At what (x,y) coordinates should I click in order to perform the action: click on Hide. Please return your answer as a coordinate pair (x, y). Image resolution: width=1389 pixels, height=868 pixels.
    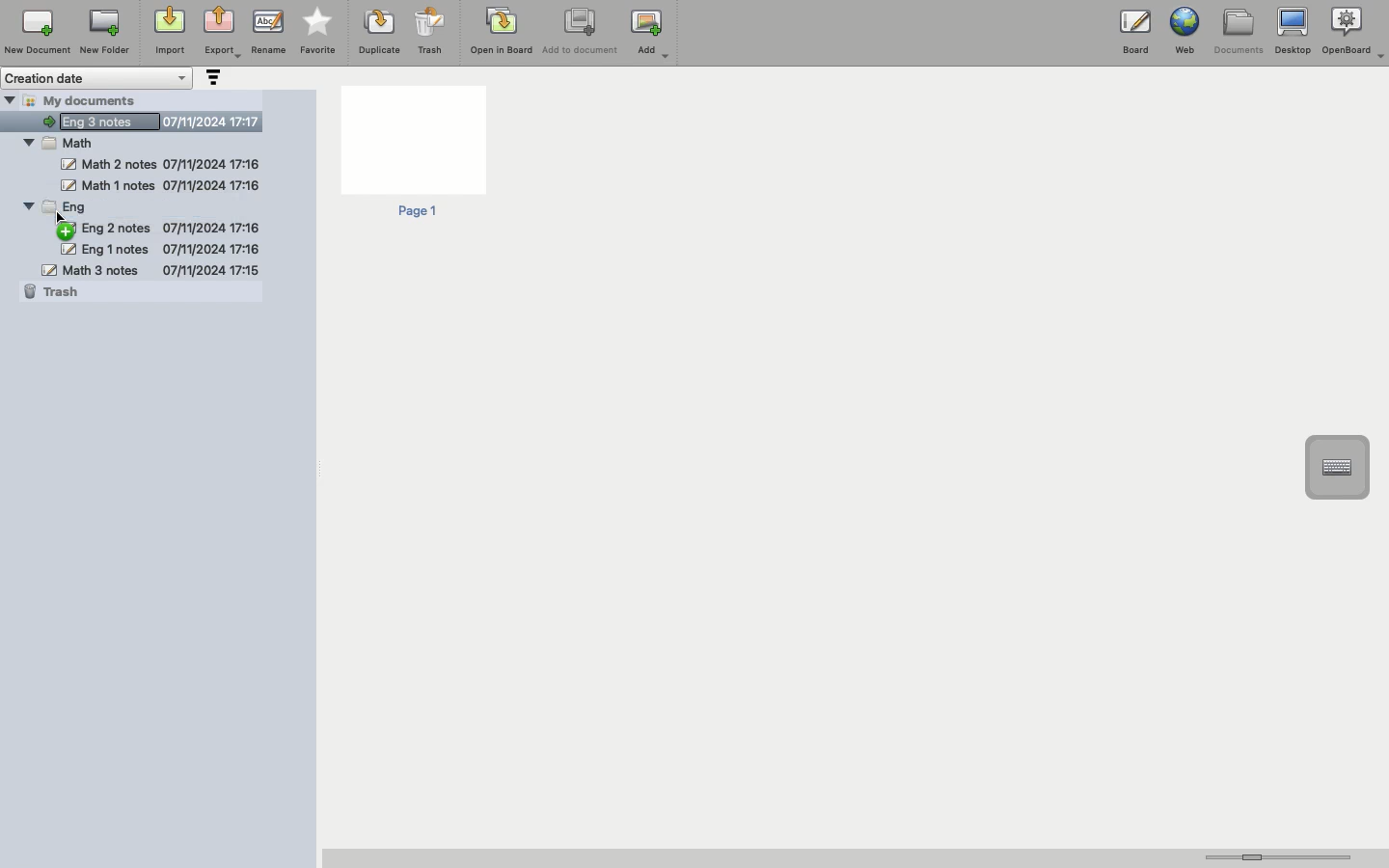
    Looking at the image, I should click on (27, 140).